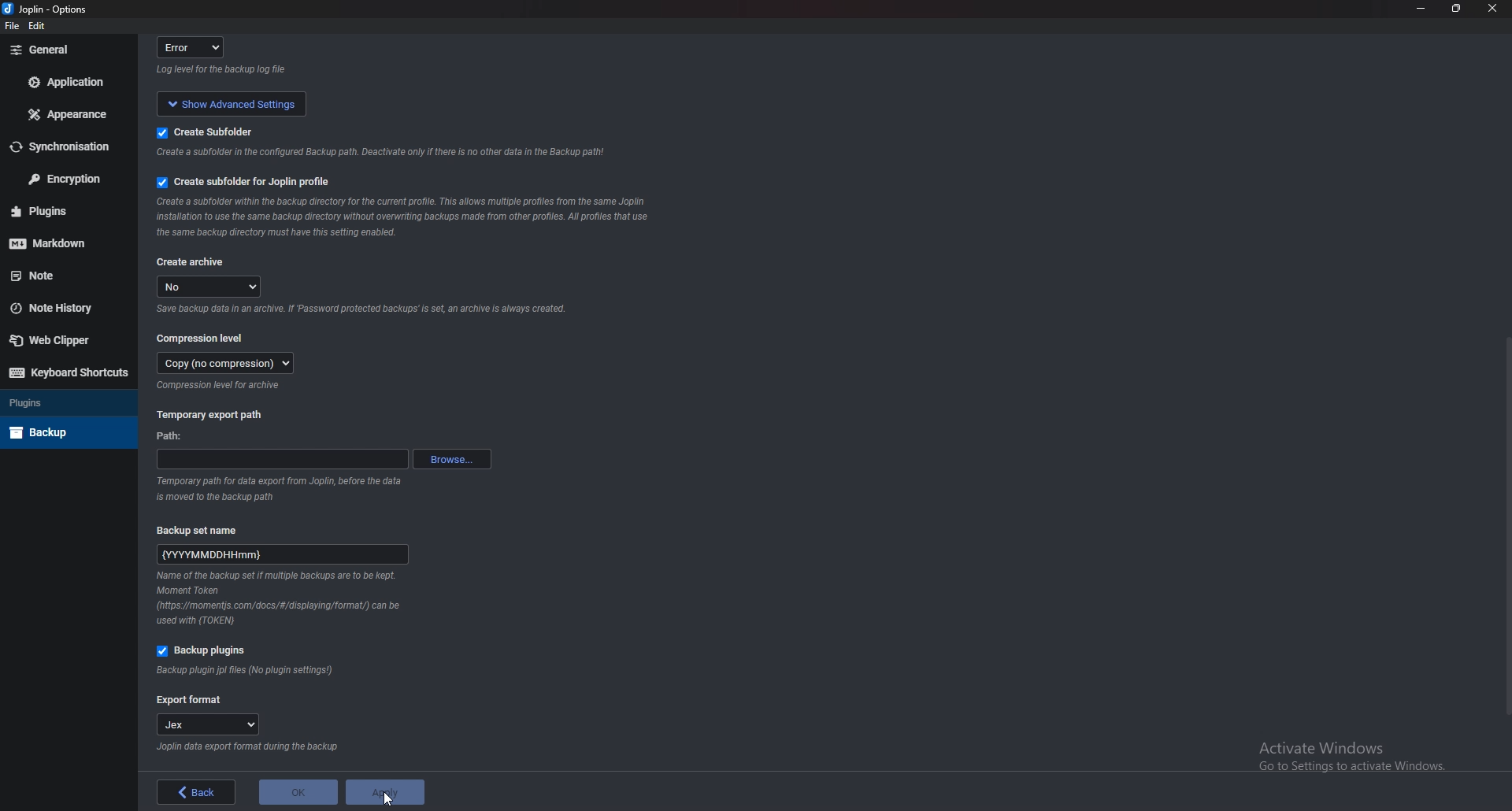 The width and height of the screenshot is (1512, 811). What do you see at coordinates (1360, 753) in the screenshot?
I see `activate windows` at bounding box center [1360, 753].